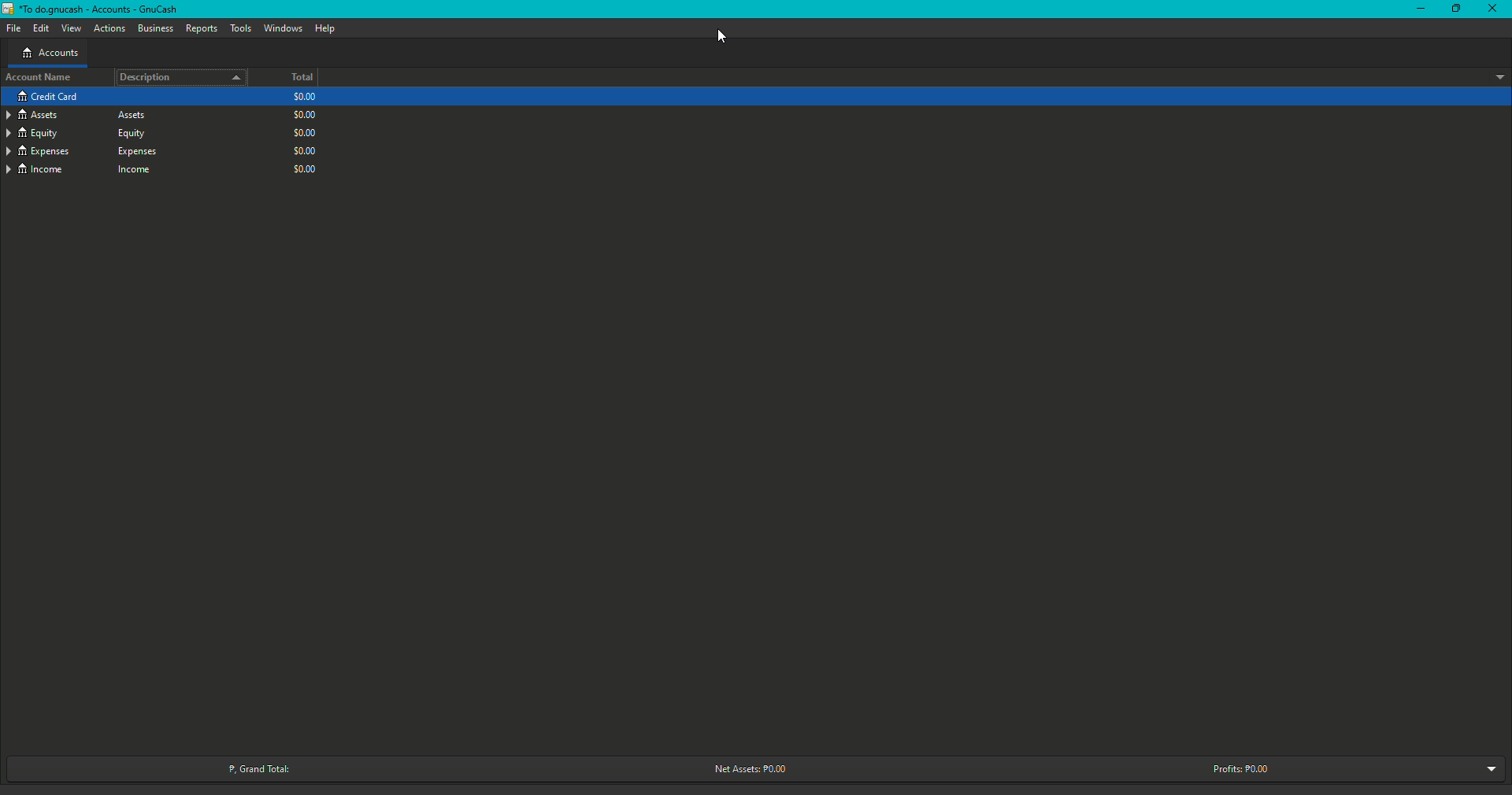  What do you see at coordinates (85, 153) in the screenshot?
I see `Expenses` at bounding box center [85, 153].